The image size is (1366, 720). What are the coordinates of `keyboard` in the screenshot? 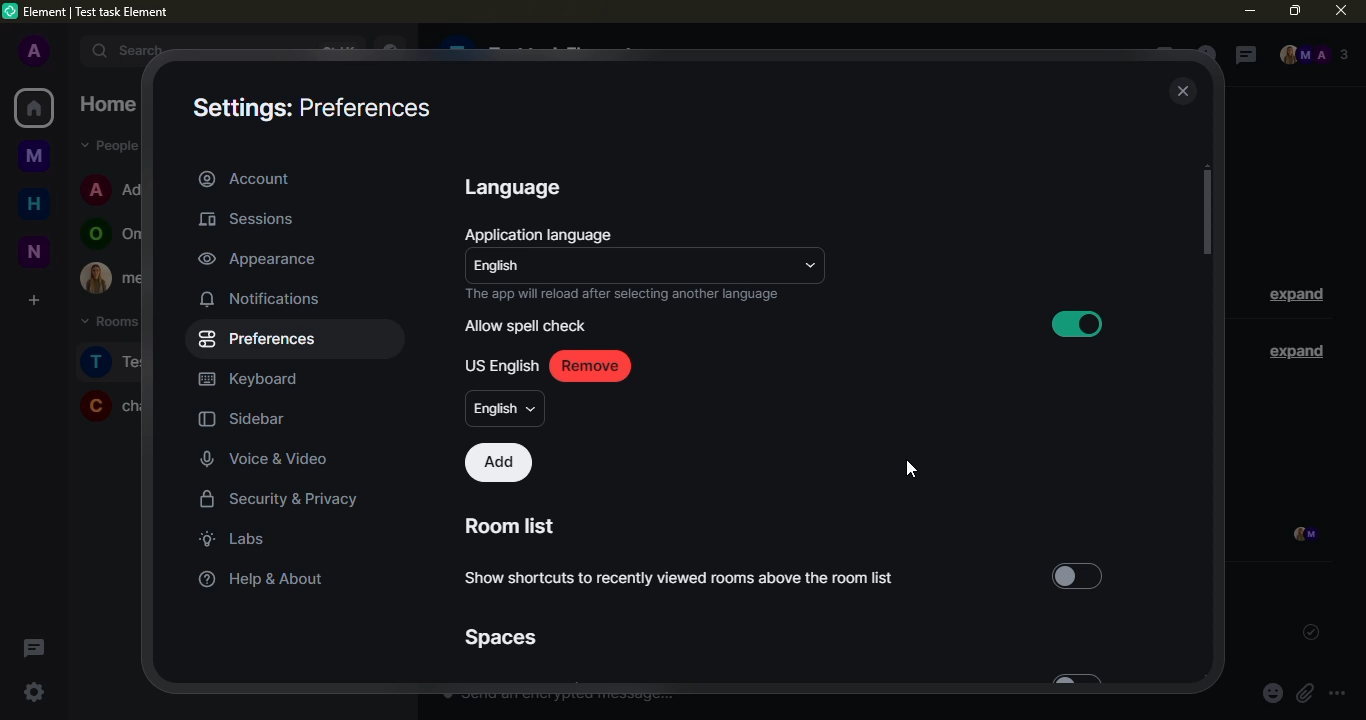 It's located at (250, 380).